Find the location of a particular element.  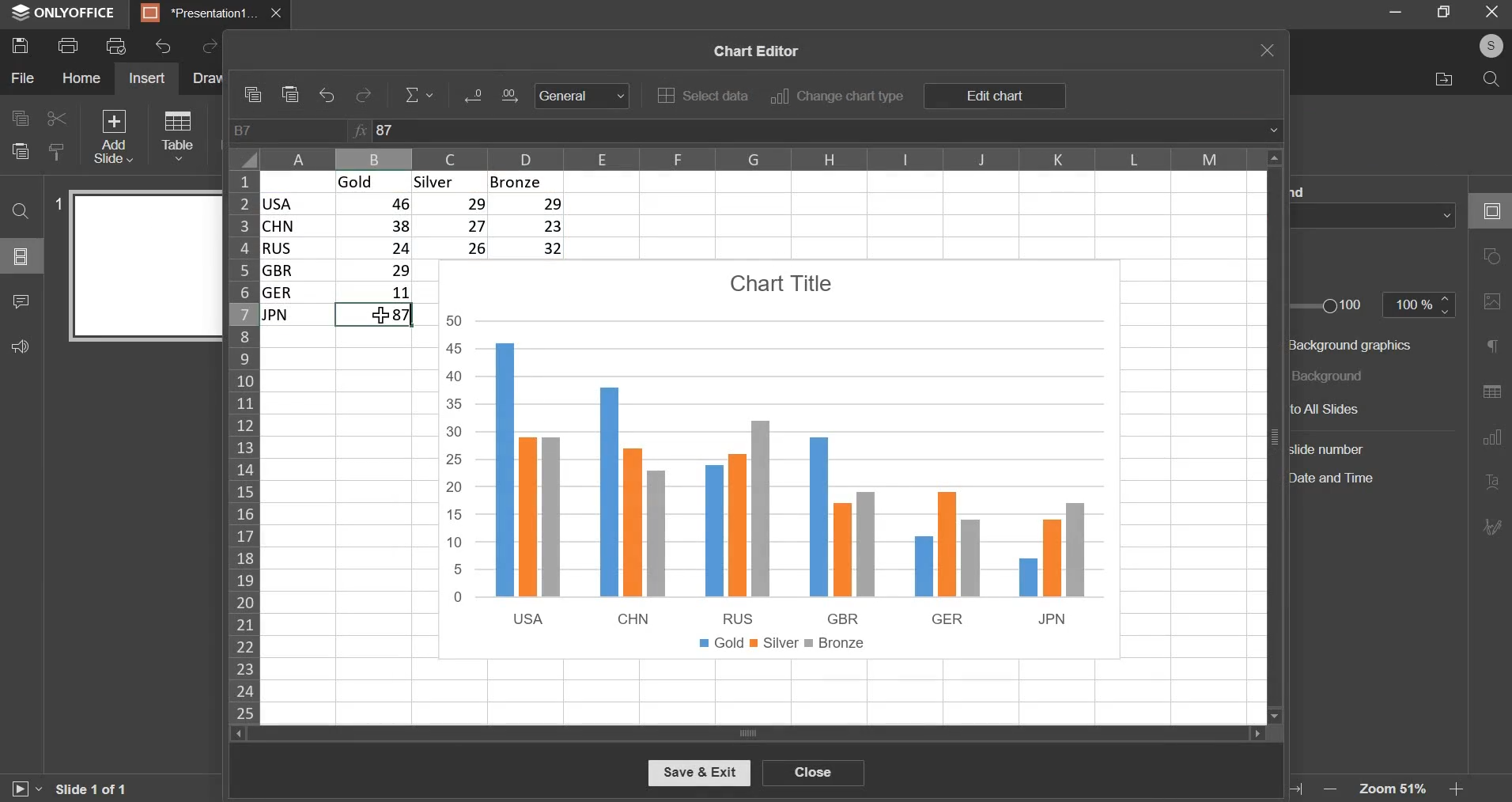

presentation tab is located at coordinates (201, 13).